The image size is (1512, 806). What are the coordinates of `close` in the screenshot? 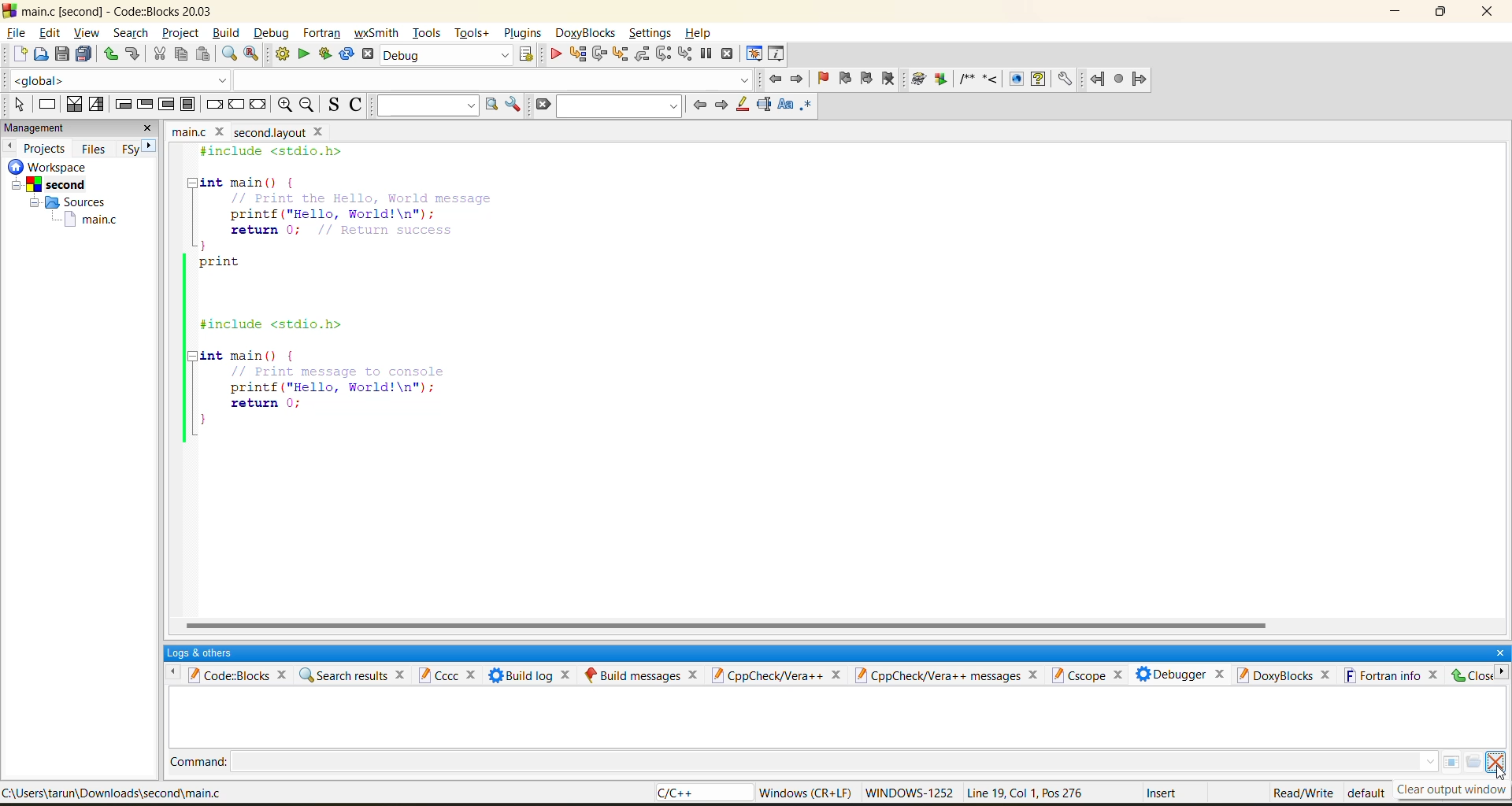 It's located at (1491, 13).